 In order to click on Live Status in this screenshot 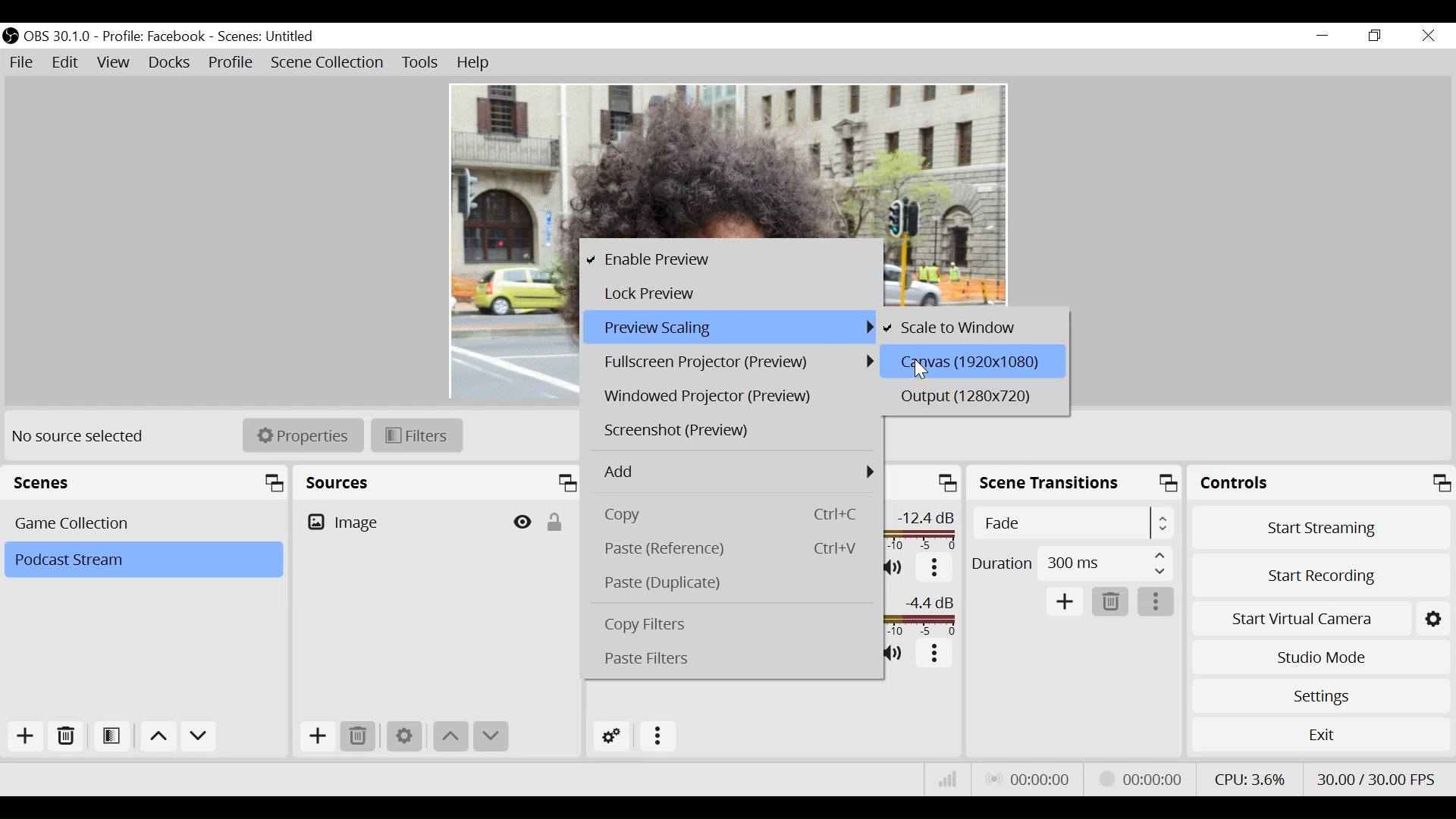, I will do `click(1029, 781)`.